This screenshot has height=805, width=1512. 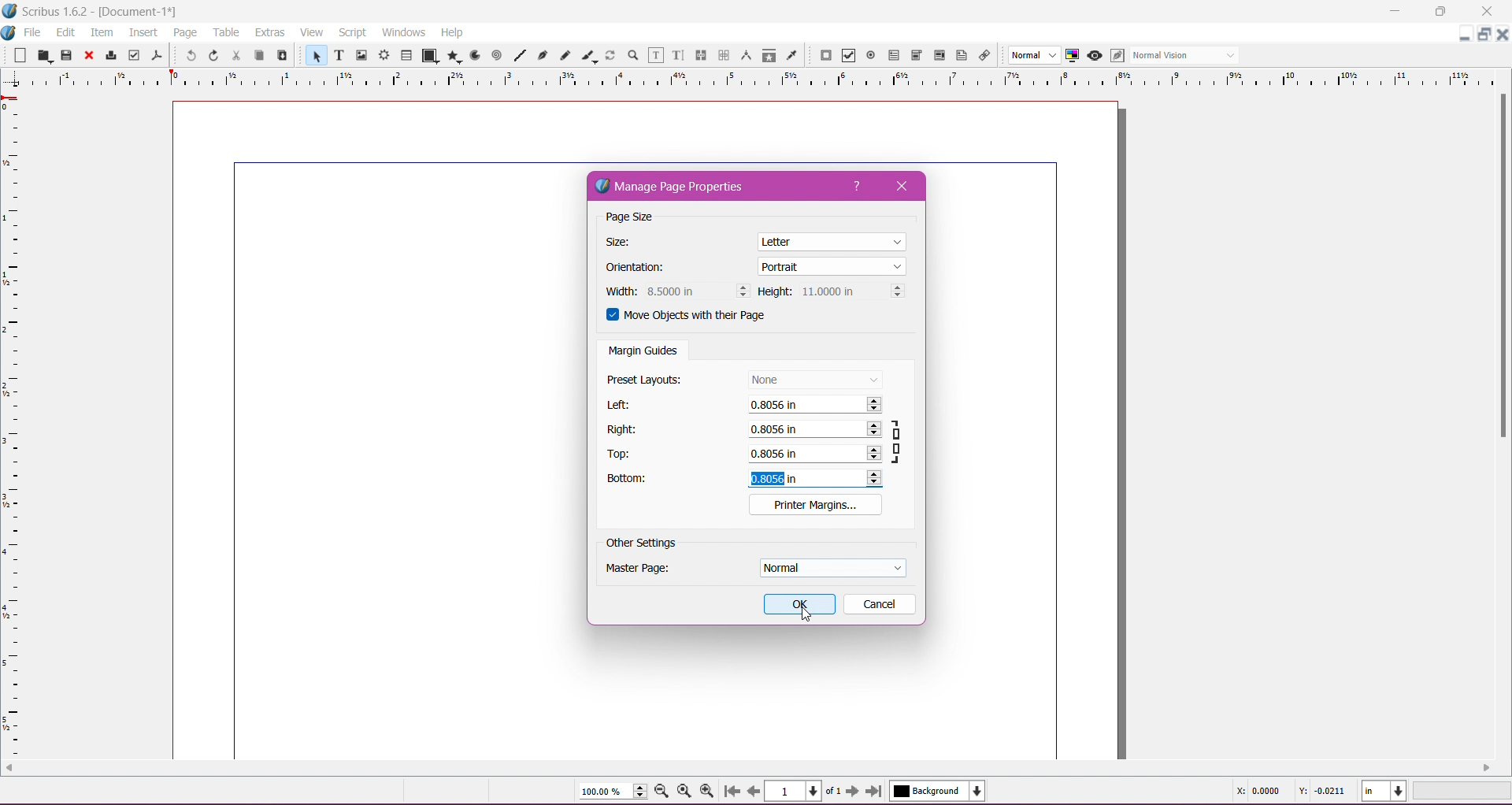 What do you see at coordinates (520, 54) in the screenshot?
I see `Line` at bounding box center [520, 54].